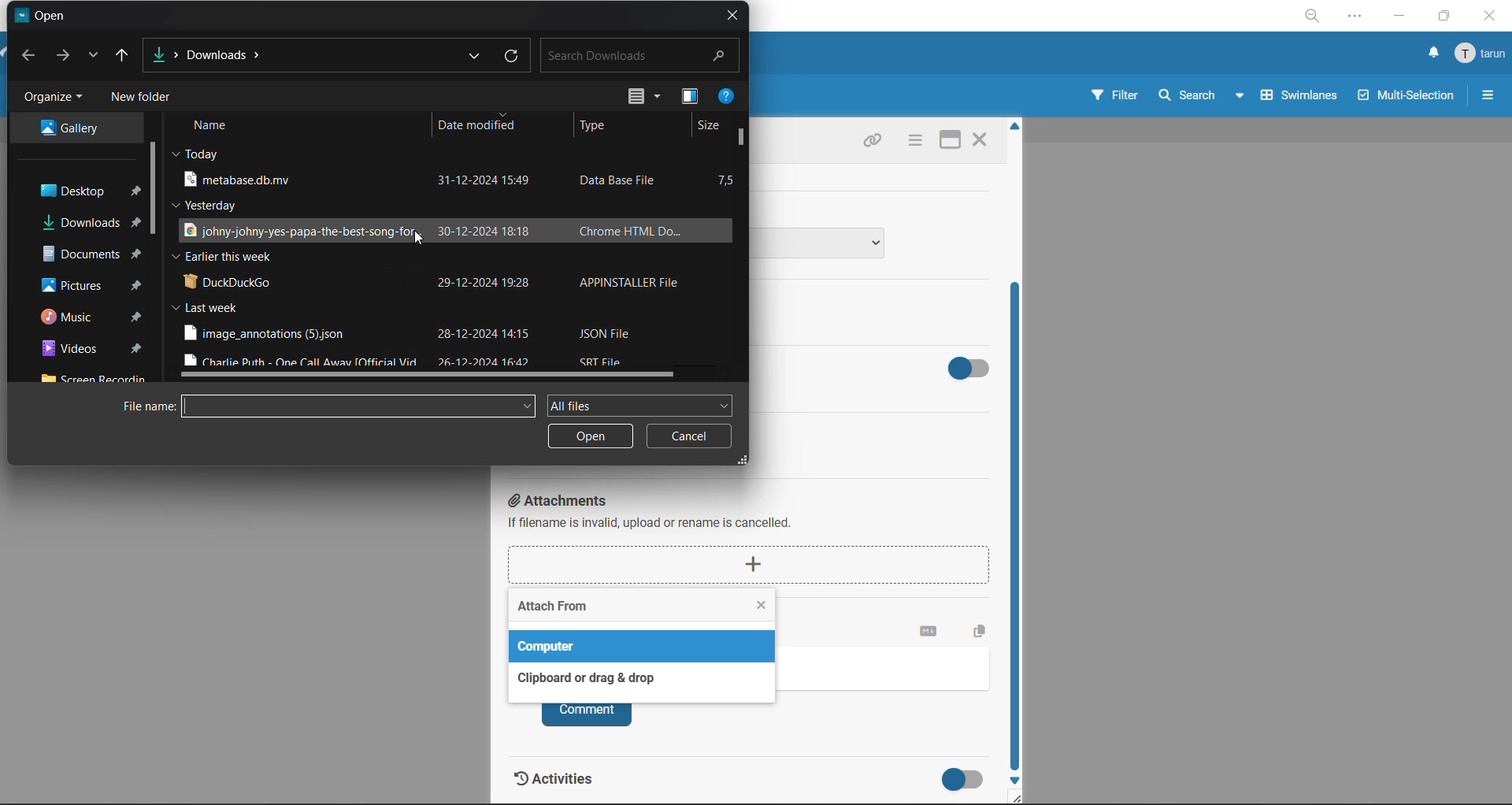  Describe the element at coordinates (1479, 57) in the screenshot. I see `menu` at that location.